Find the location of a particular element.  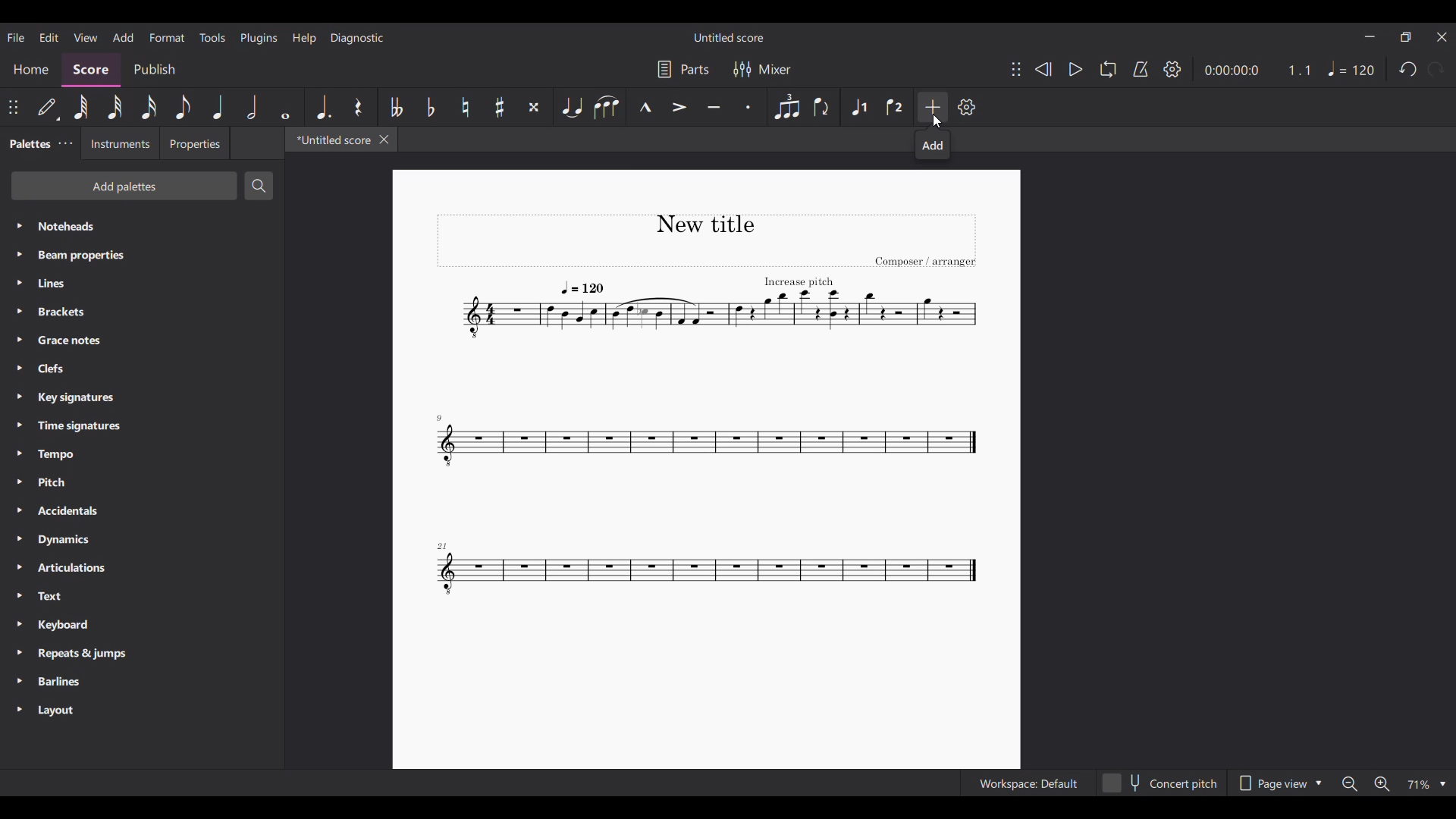

Loop playback is located at coordinates (1108, 69).